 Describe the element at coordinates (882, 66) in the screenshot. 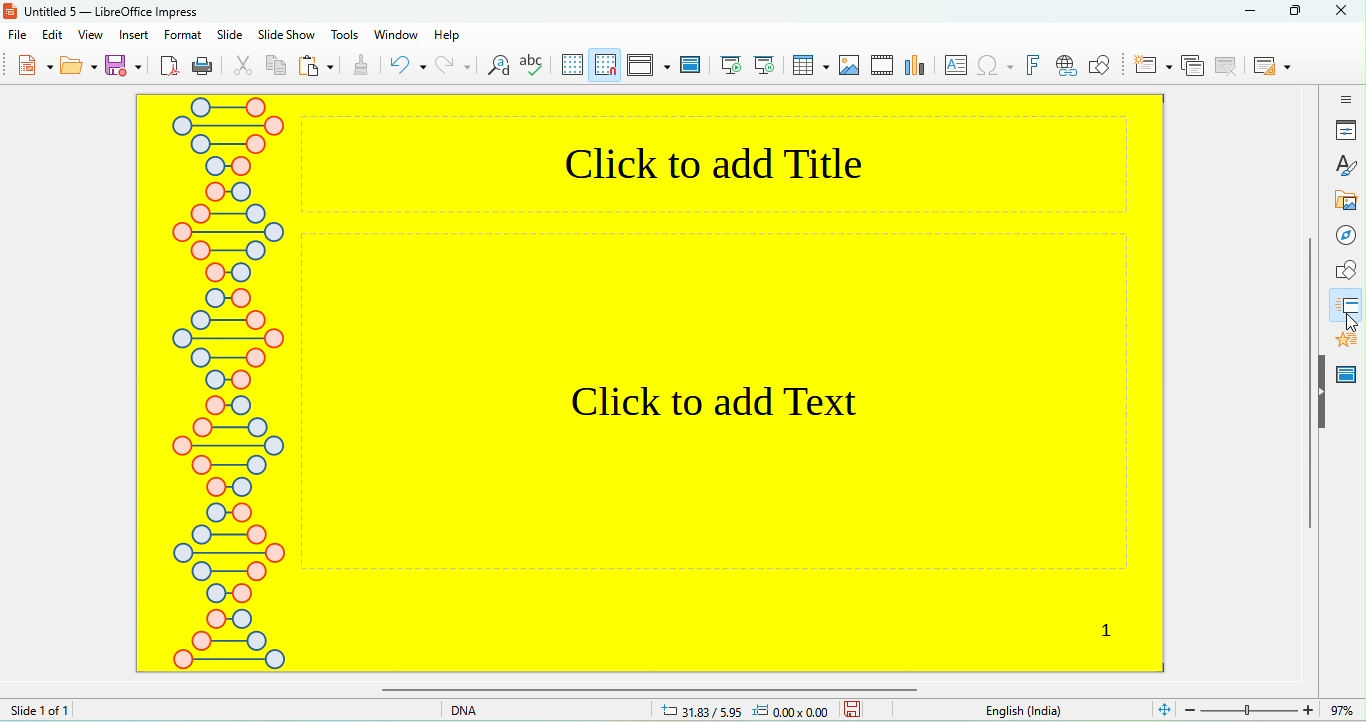

I see `vedio` at that location.